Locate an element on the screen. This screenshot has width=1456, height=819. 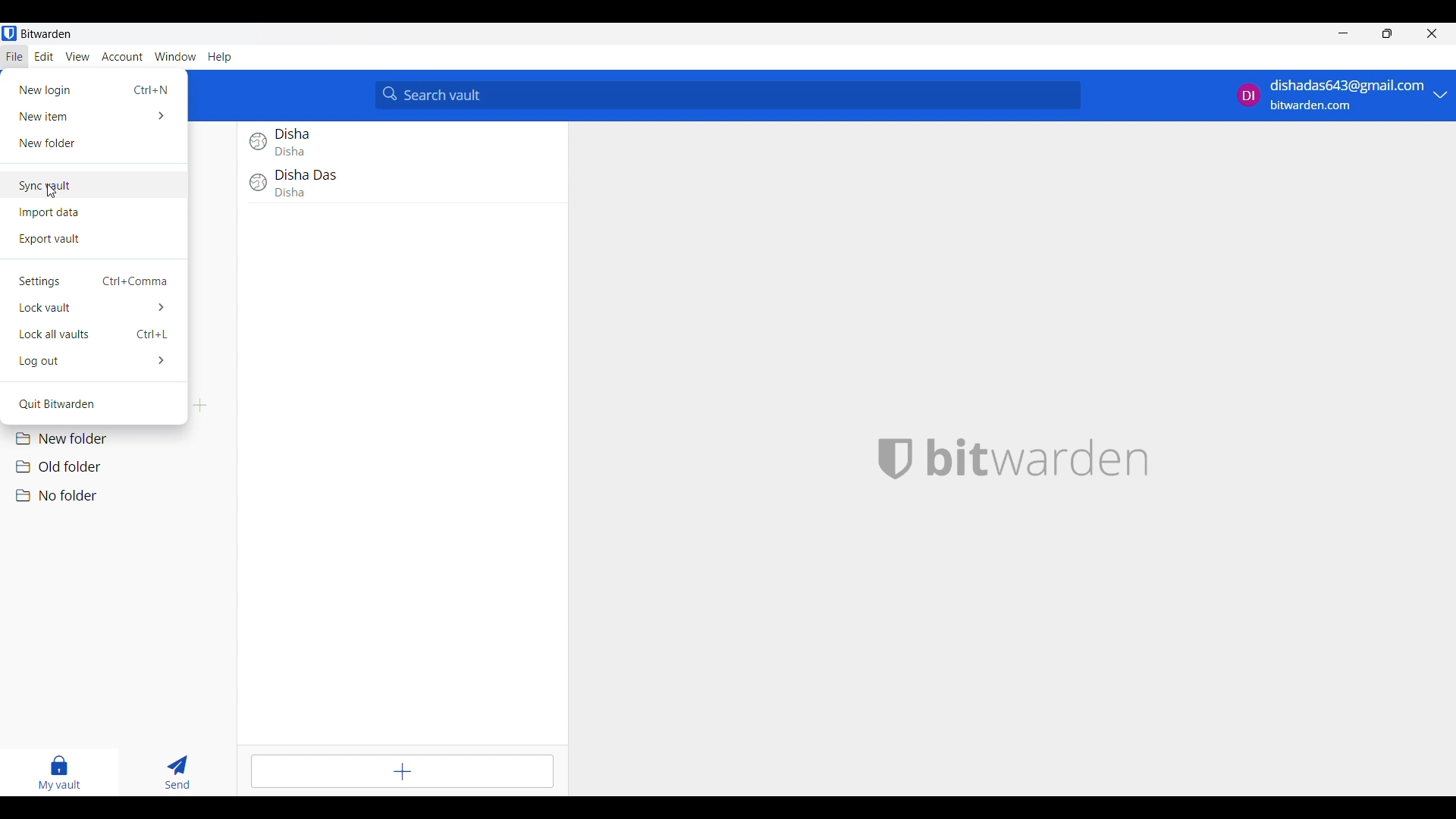
Old folder is located at coordinates (122, 466).